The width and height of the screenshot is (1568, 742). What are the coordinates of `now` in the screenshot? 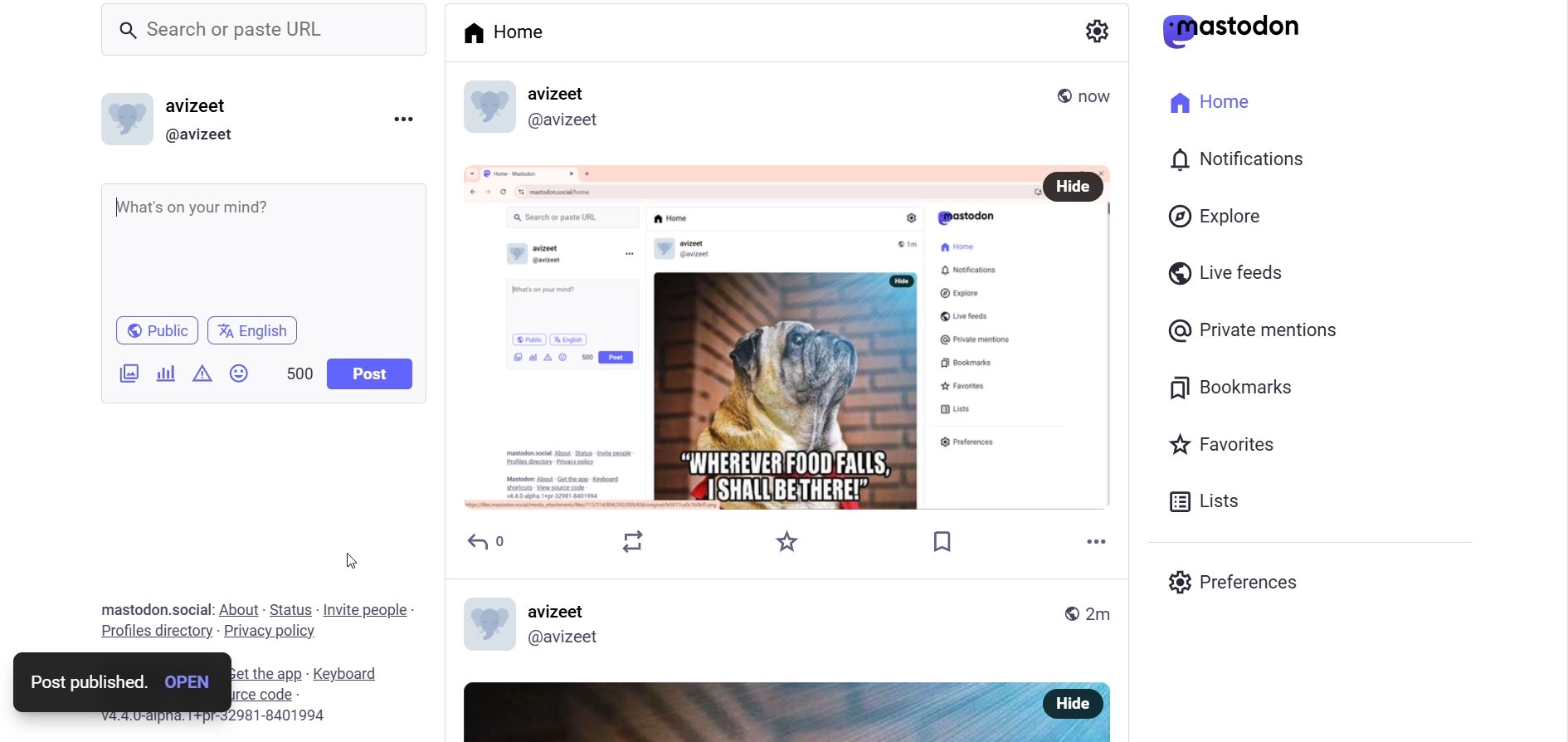 It's located at (1099, 93).